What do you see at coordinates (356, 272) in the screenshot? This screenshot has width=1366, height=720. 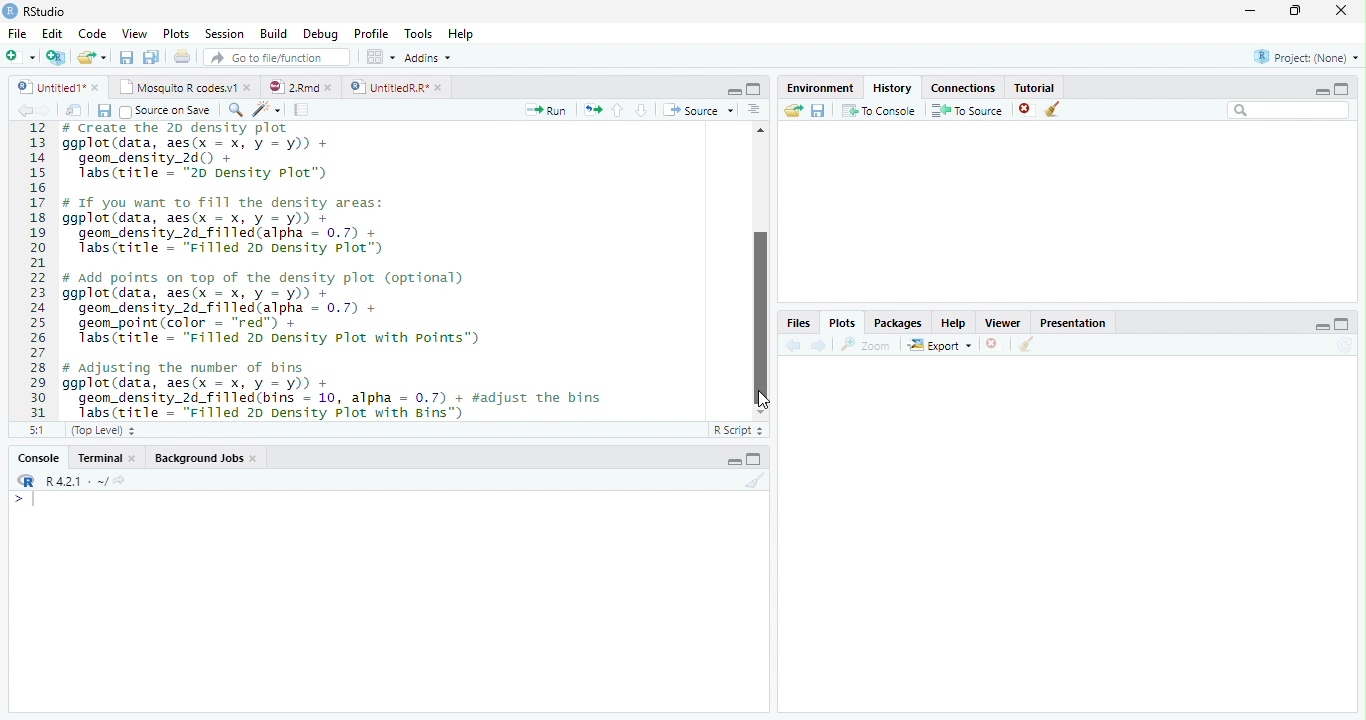 I see `12 # Create the ZD density plot
13 ggplot(data, aes(x = x, y = y)) +

14 geom_density_2d() +

15 Tabs(ritle - "20 Density Plot”)

16

17 # If you want to ill the density areas:

18 ggplot(data, aes(x = x, y = y)) +

19 geom_density_2d_filled(alpha = 0.7) +

20 Tabs(title = "Filled 20 Density Plot”)

21

22 # add points on top of the density plot (optional)

23 ggplot(data, aes(x = x, y = y)) +

24 geom_density_2d_filled(alpha = 0.7) +

25 geom_point(color = “red") +

26 Tabs(title = "Filled 20 Density Plot with points”)

27

28 # adjusting the number of bins

29 ggplot(data, aes(x = x, y = y)) +

30 geom_density_2d_filled(bins = 10, alpha = 0.7) + #adjust the bins
31 Jabs(ritle = “Filled 20 Density Plot with Bins")` at bounding box center [356, 272].